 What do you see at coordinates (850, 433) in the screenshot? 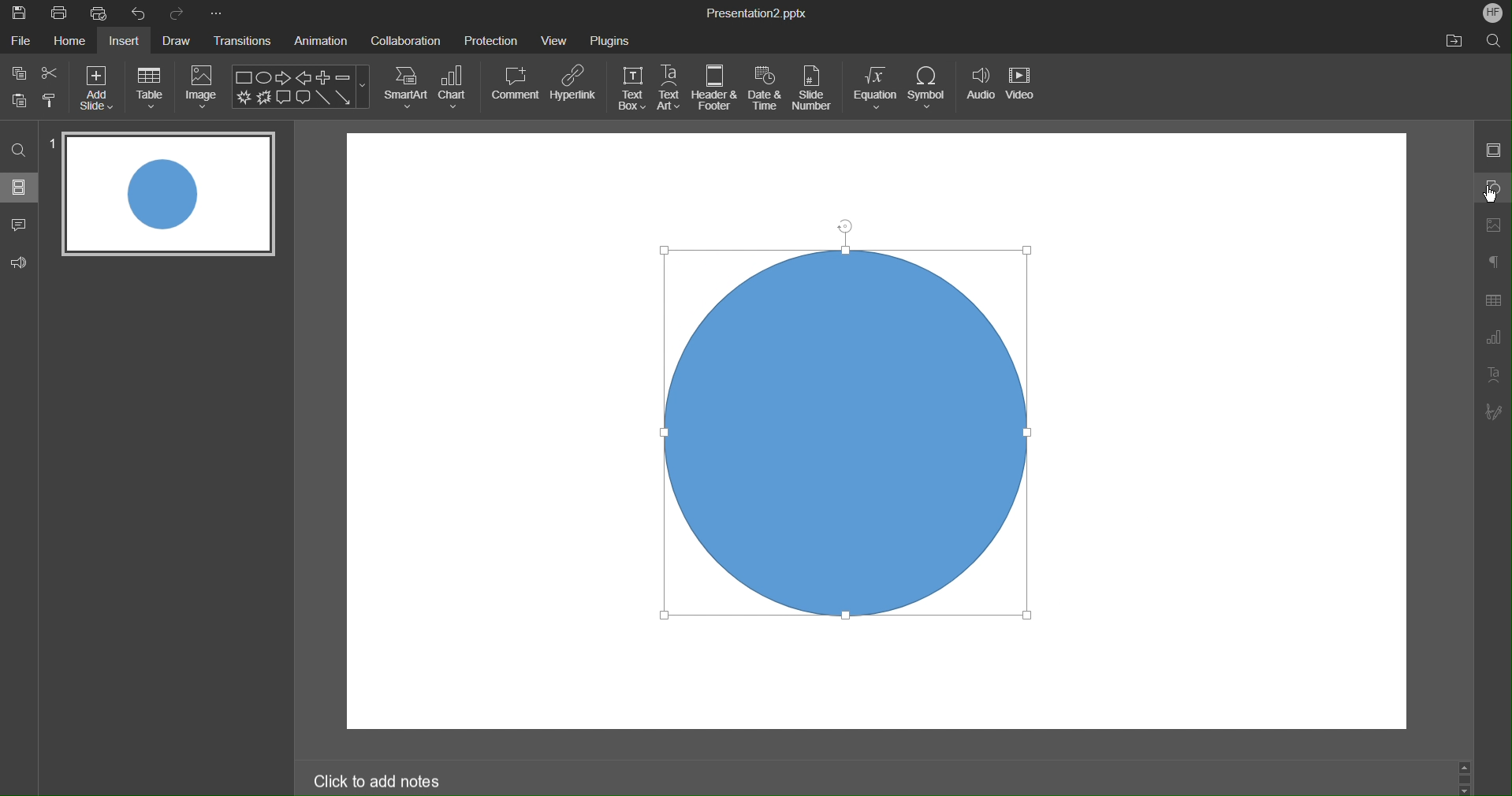
I see `Circle` at bounding box center [850, 433].